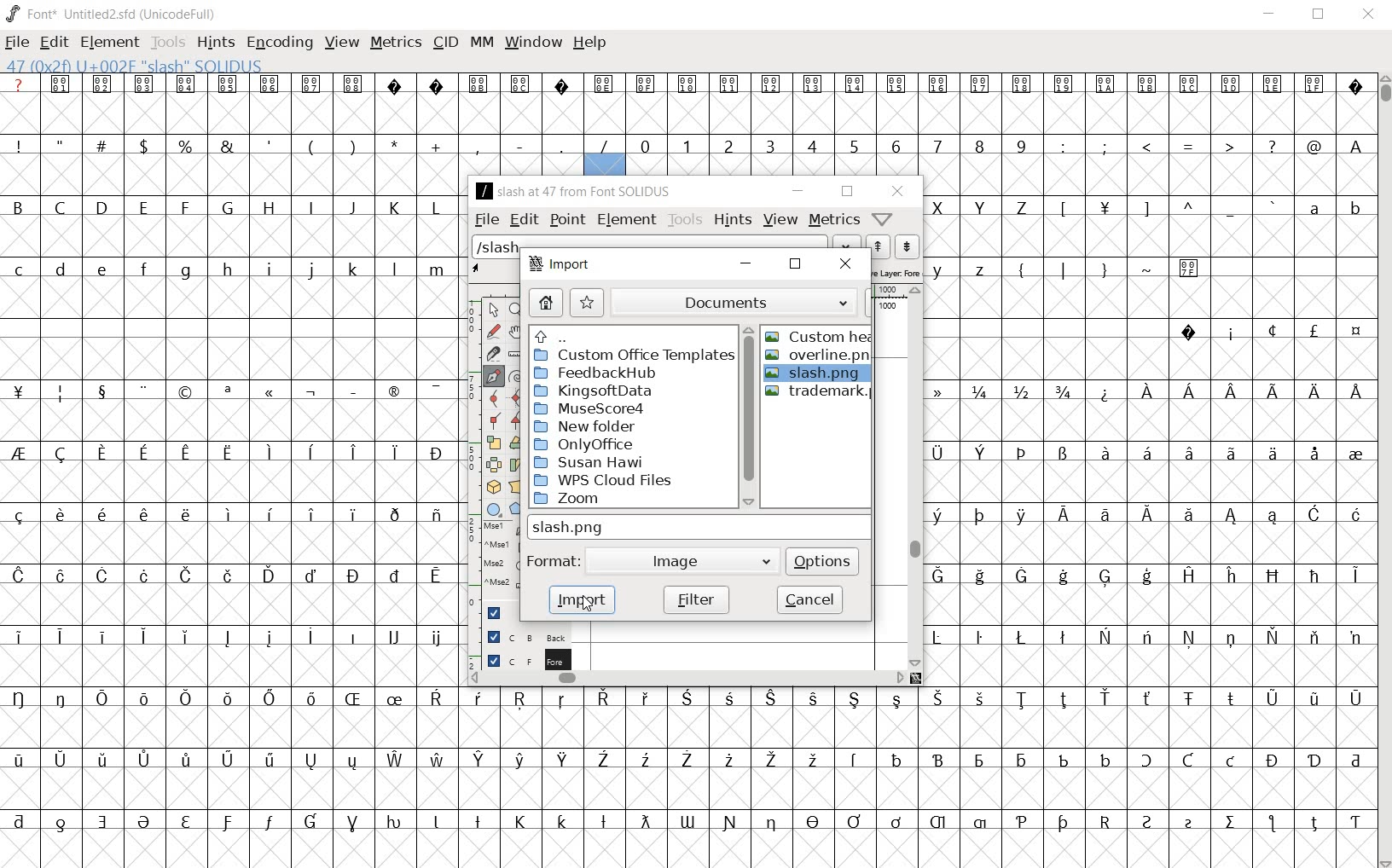  What do you see at coordinates (495, 376) in the screenshot?
I see `add a point, then drag out its control points` at bounding box center [495, 376].